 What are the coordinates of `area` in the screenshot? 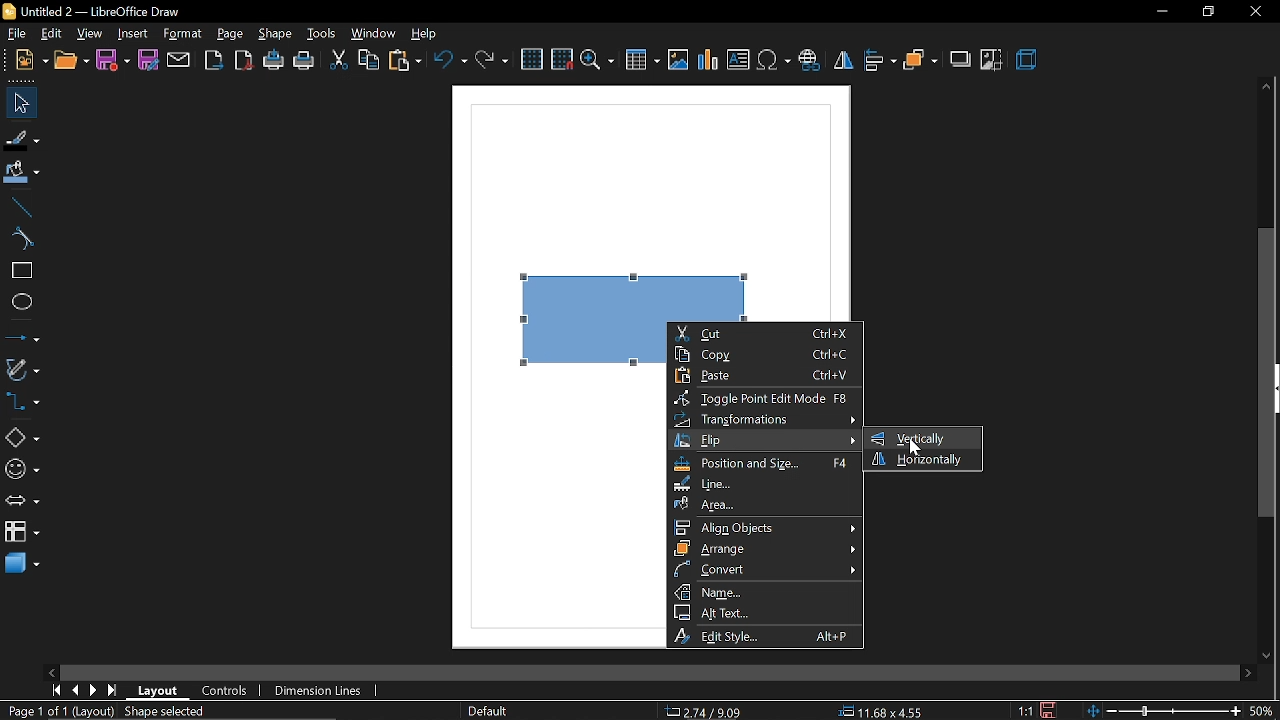 It's located at (764, 505).